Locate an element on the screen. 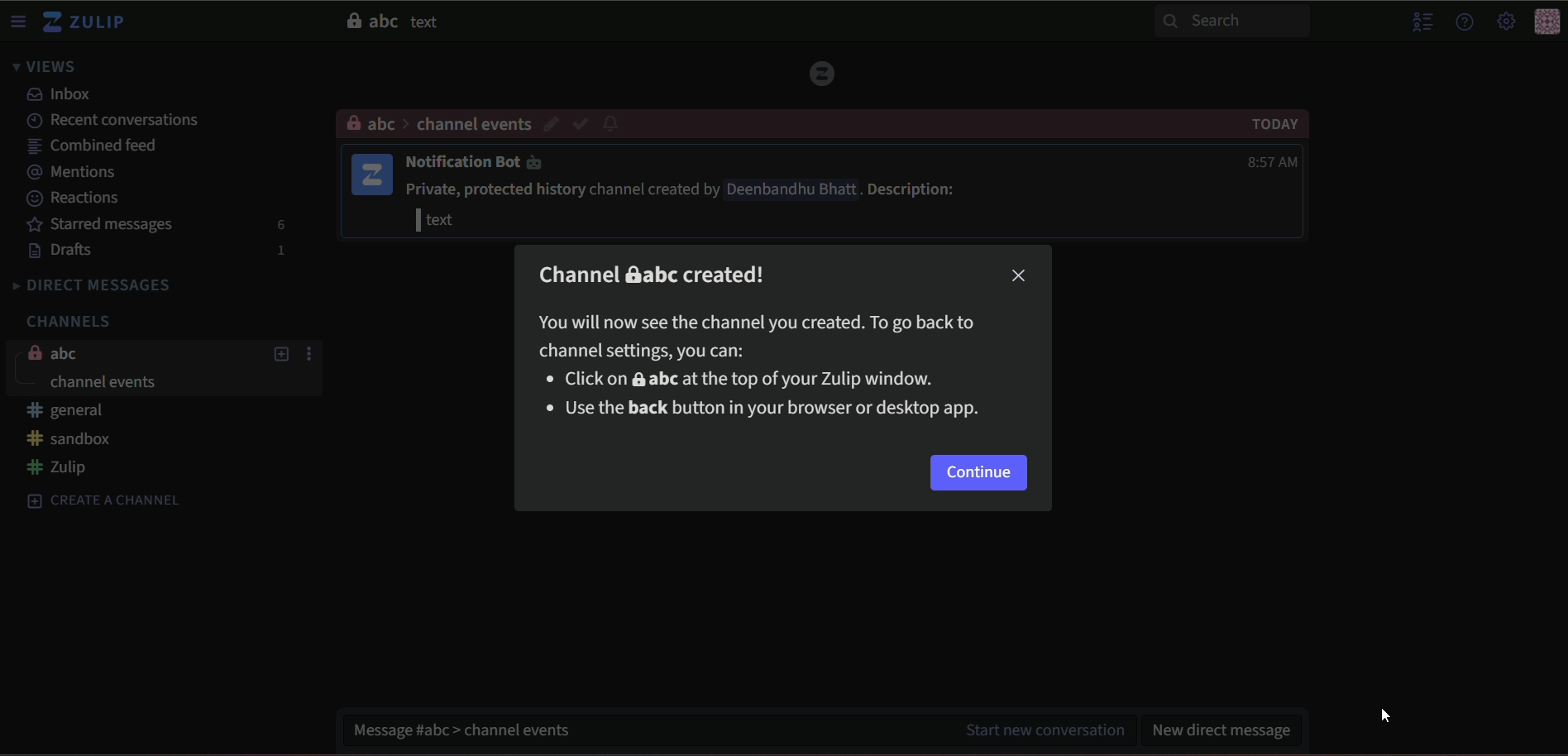 The height and width of the screenshot is (756, 1568). channels is located at coordinates (74, 321).